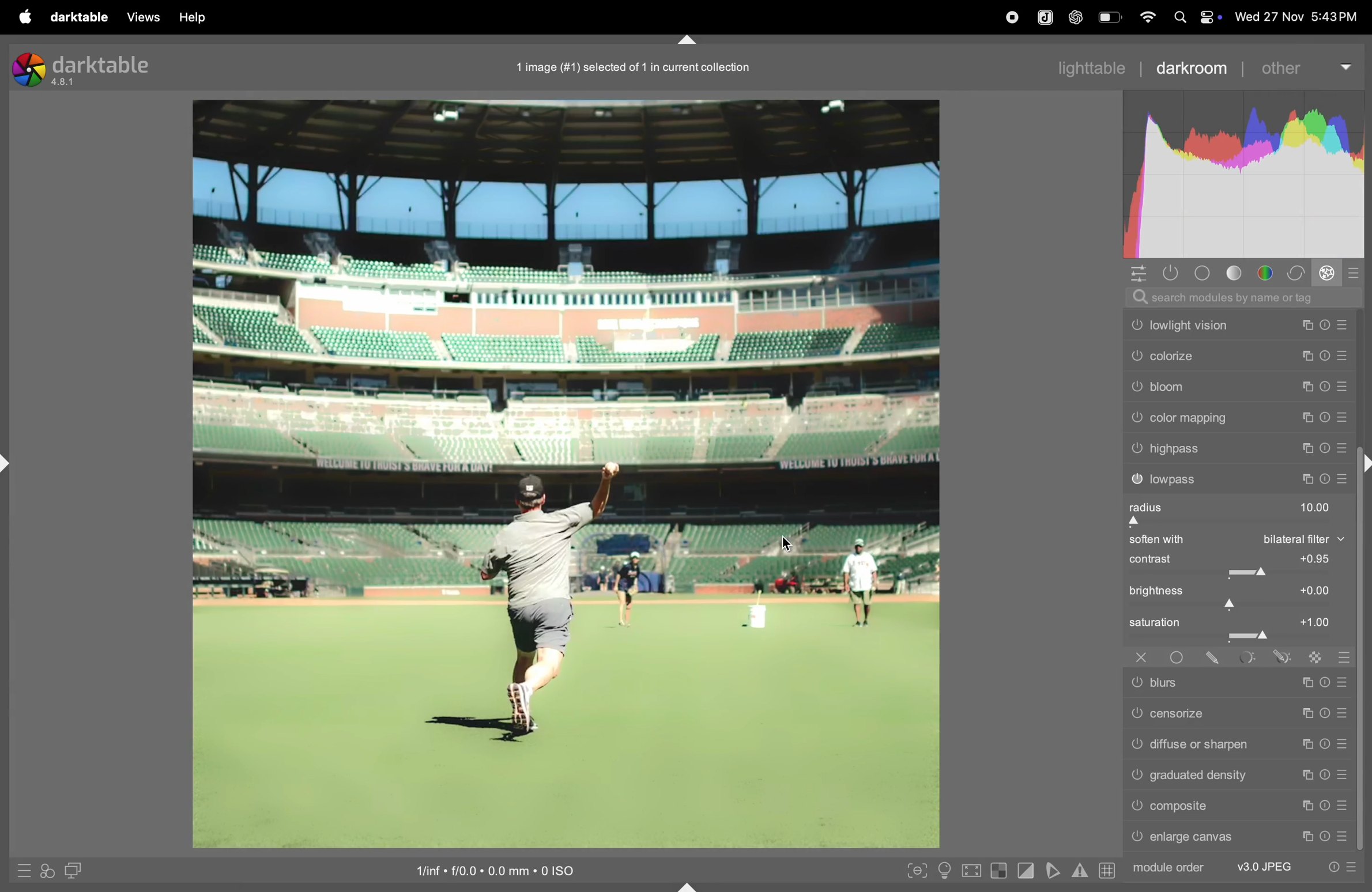 This screenshot has height=892, width=1372. What do you see at coordinates (1095, 65) in the screenshot?
I see `lighttable` at bounding box center [1095, 65].